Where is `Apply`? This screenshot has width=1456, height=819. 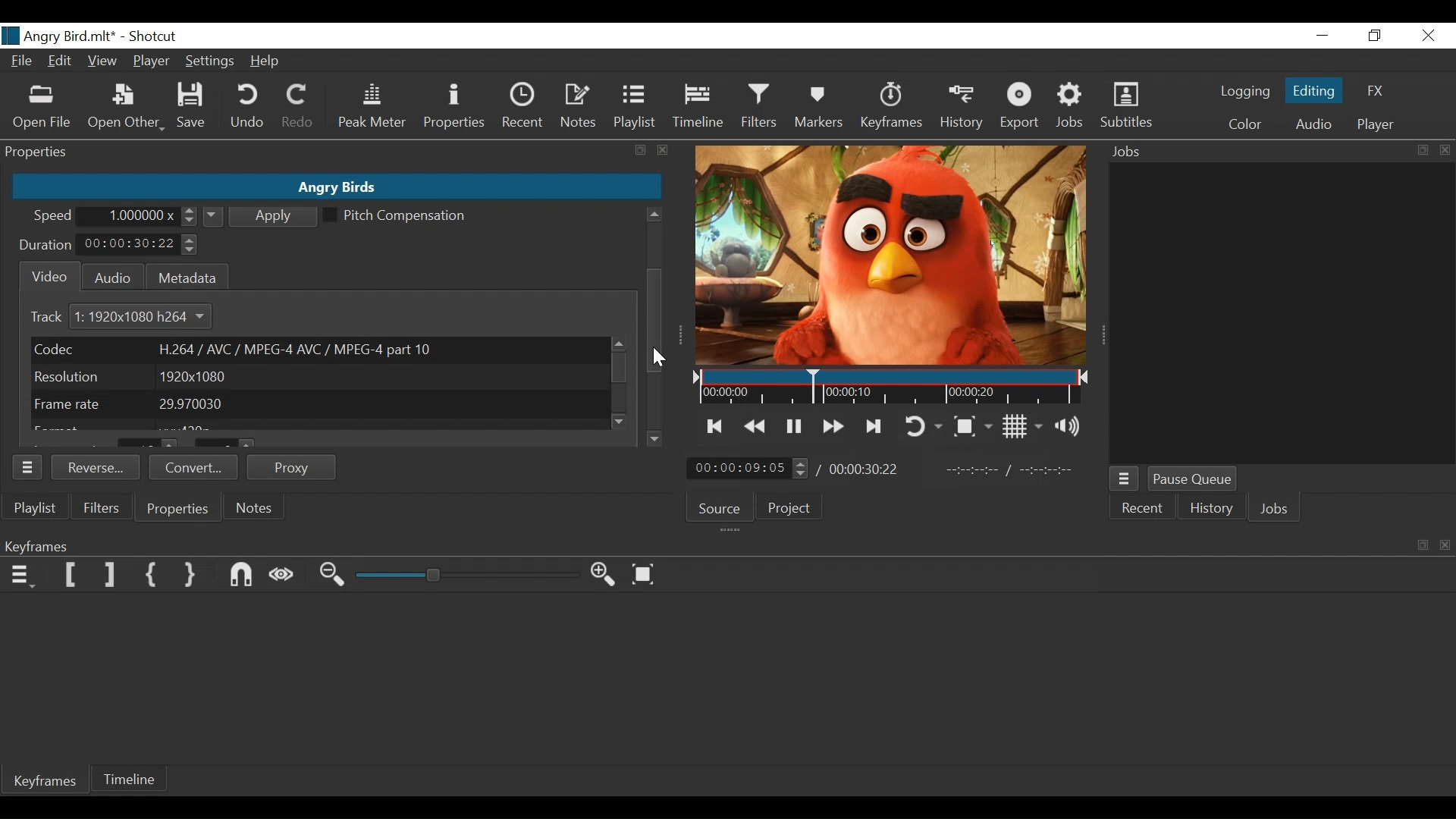
Apply is located at coordinates (262, 215).